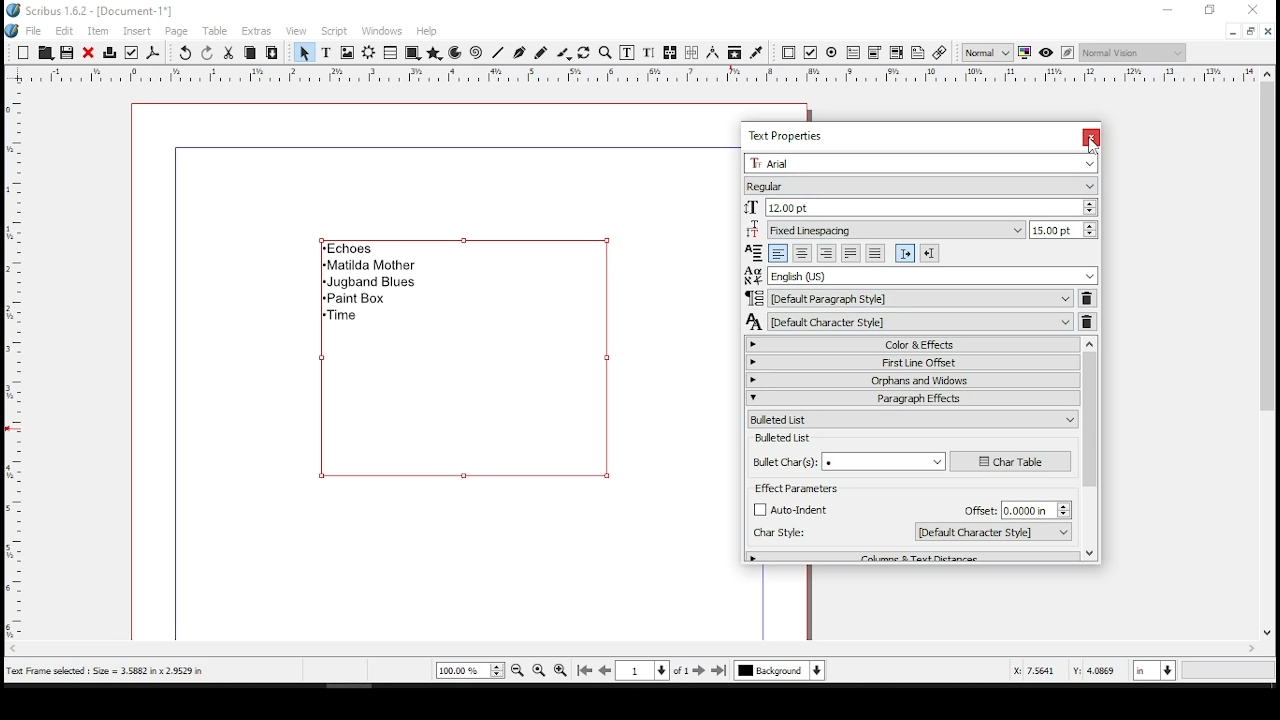 The image size is (1280, 720). Describe the element at coordinates (369, 53) in the screenshot. I see `render frame` at that location.